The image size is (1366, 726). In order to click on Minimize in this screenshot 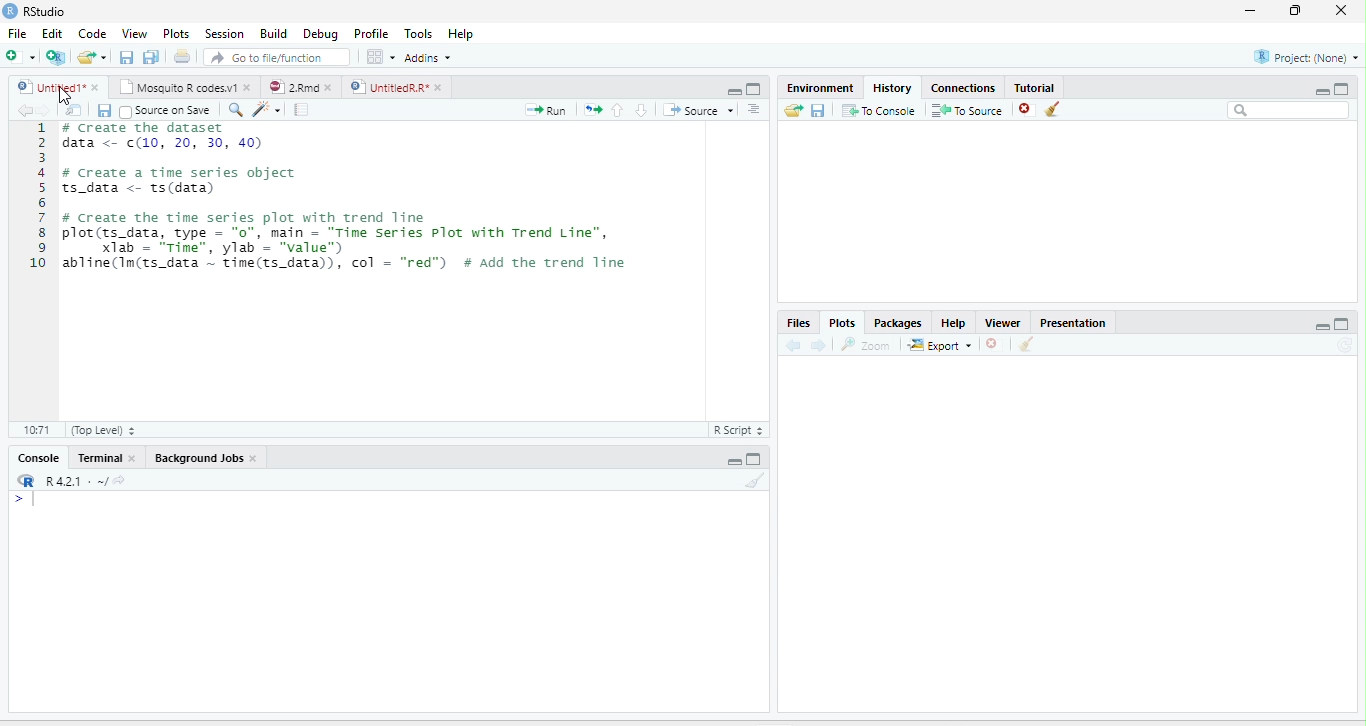, I will do `click(1321, 326)`.